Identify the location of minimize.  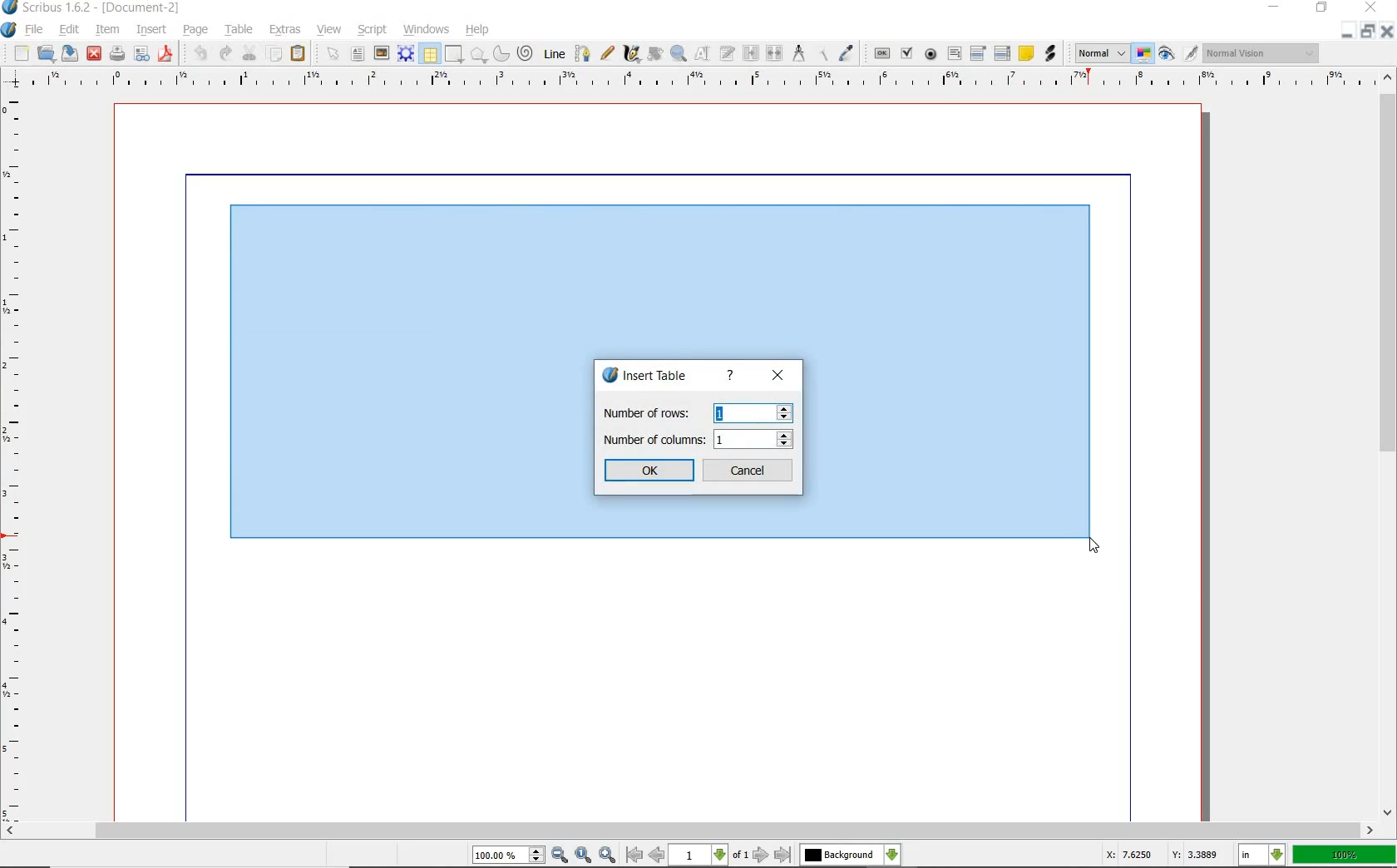
(1347, 31).